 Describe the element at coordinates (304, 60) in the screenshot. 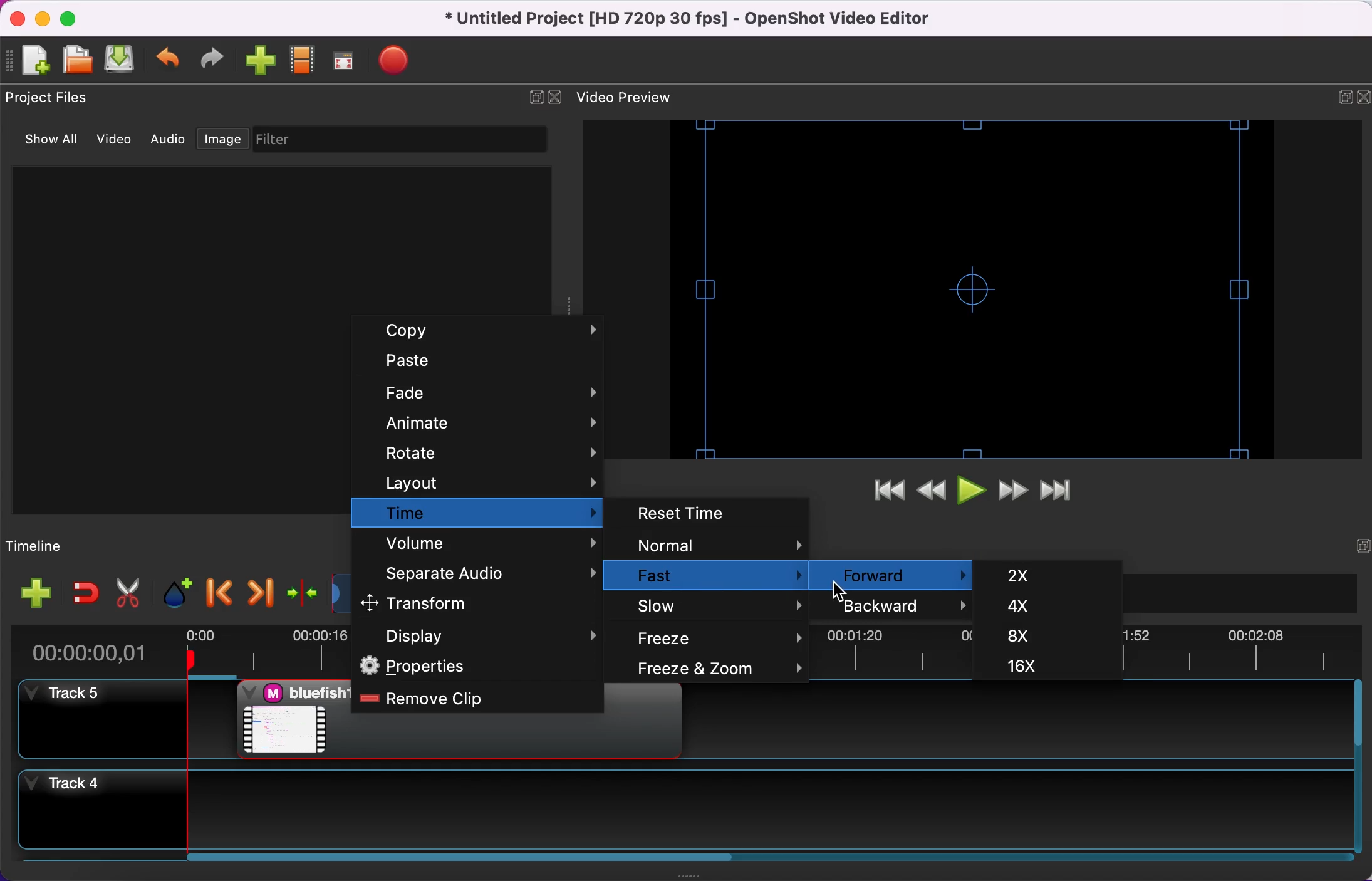

I see `choose profile` at that location.